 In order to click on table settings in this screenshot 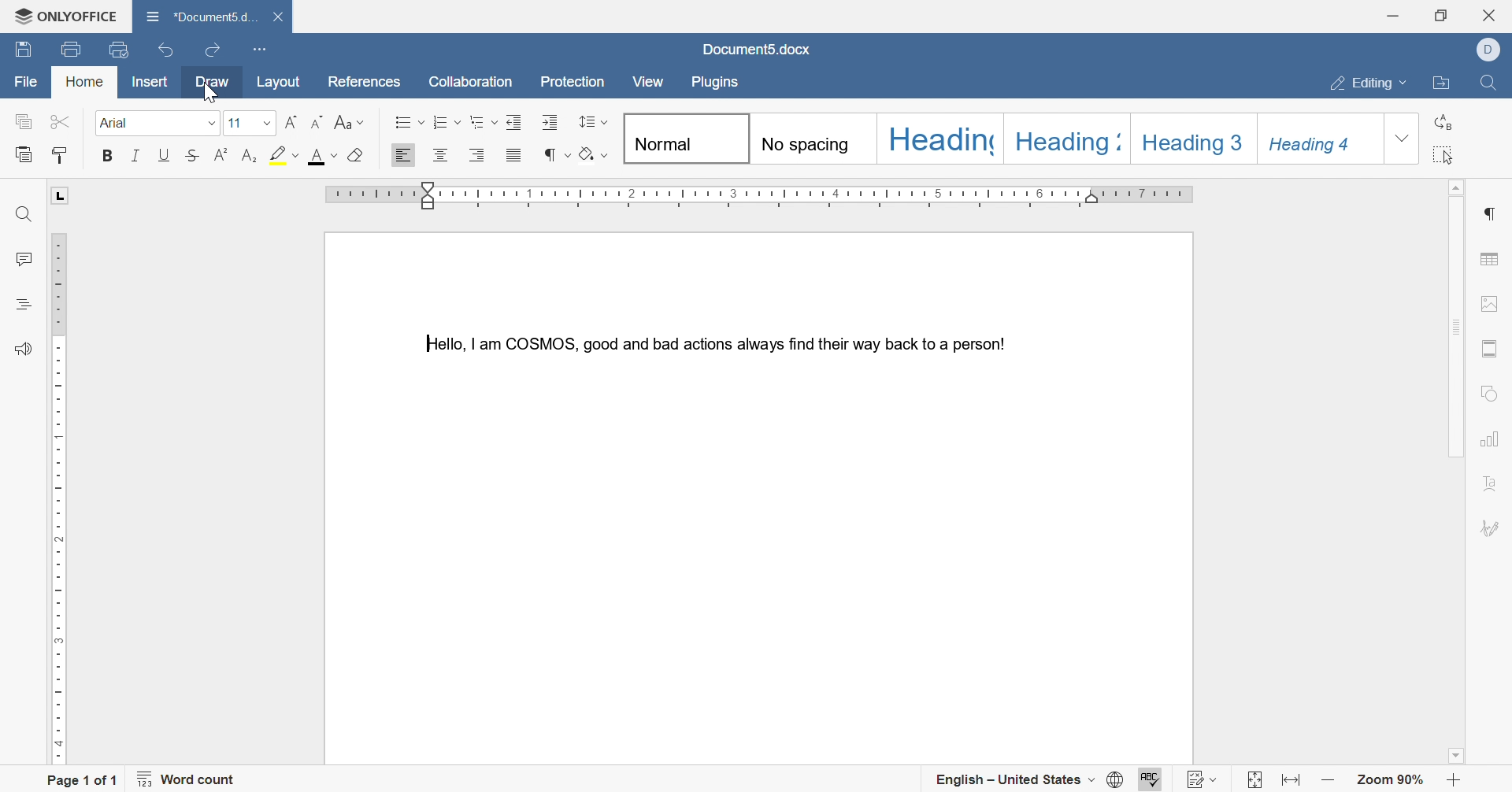, I will do `click(1492, 261)`.